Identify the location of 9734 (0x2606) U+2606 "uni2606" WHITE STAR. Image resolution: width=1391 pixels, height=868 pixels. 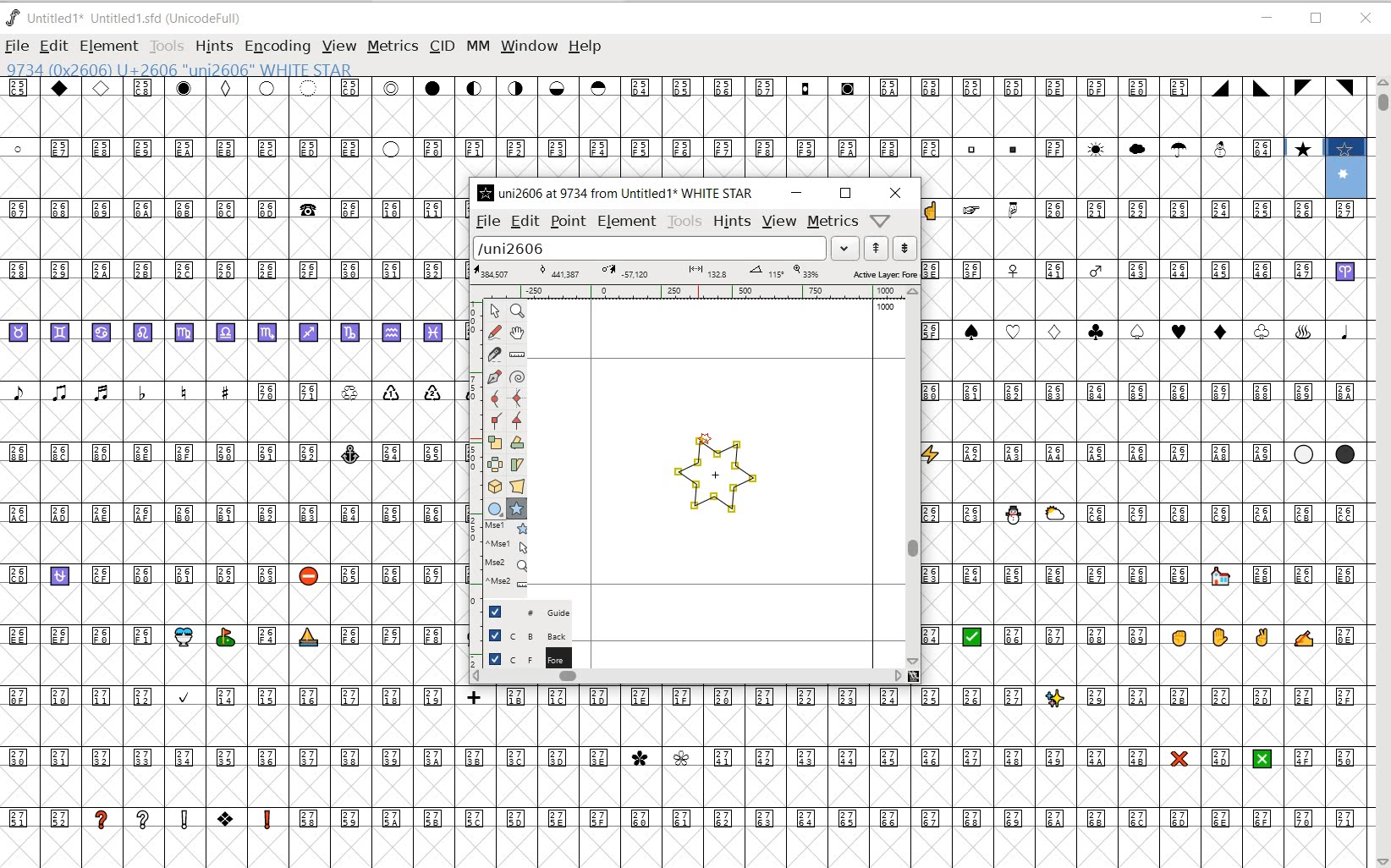
(180, 70).